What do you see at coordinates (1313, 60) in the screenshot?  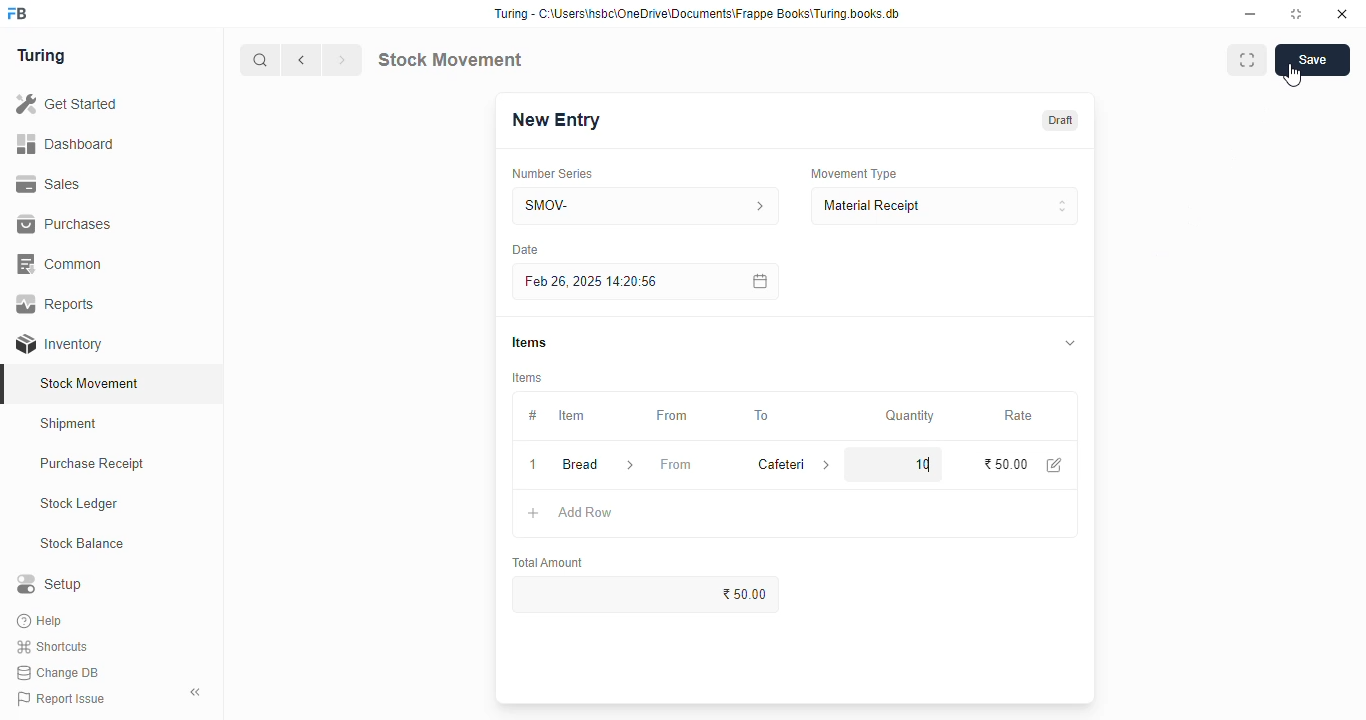 I see `save` at bounding box center [1313, 60].